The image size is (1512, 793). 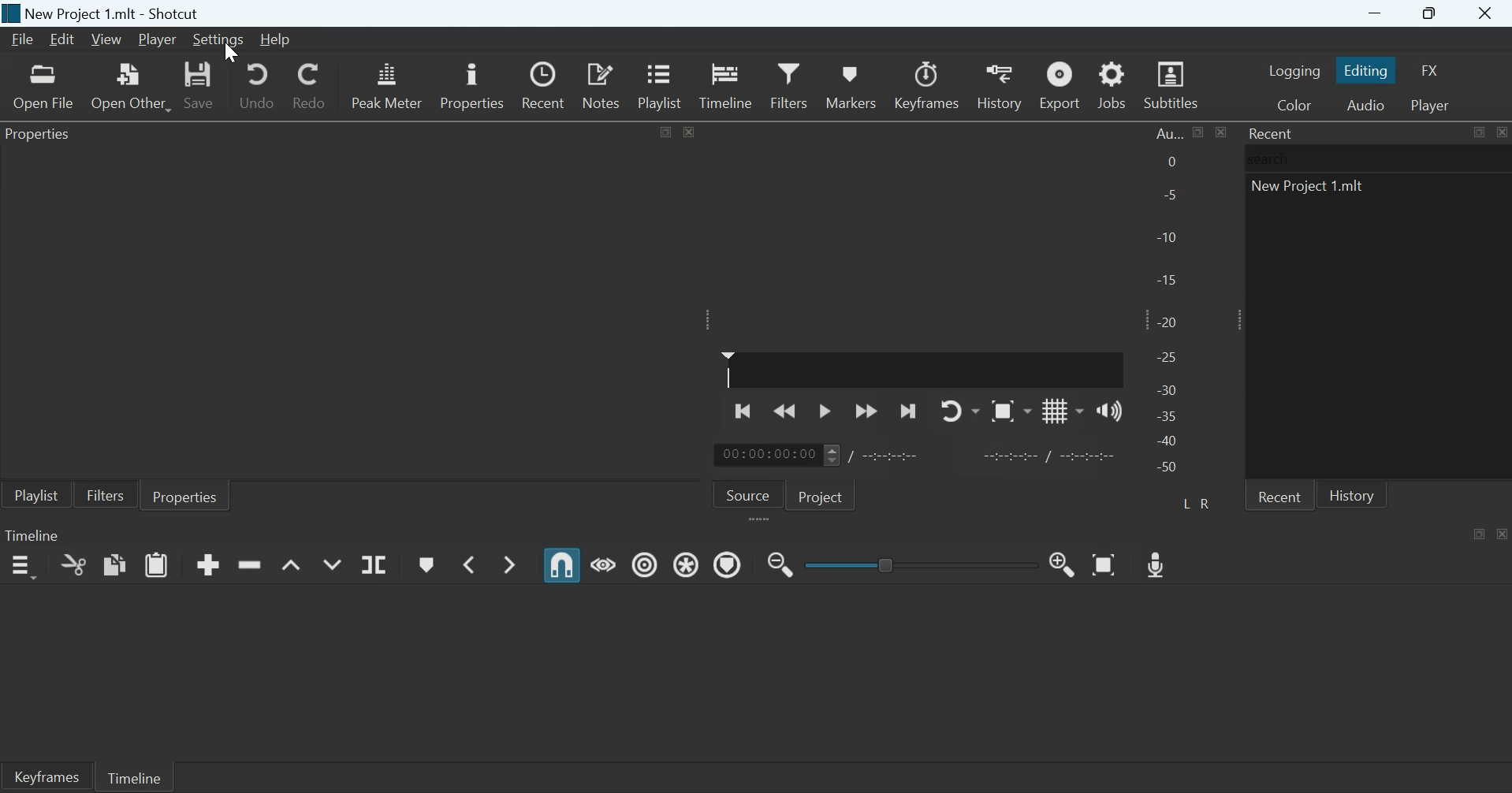 What do you see at coordinates (157, 564) in the screenshot?
I see `Paste` at bounding box center [157, 564].